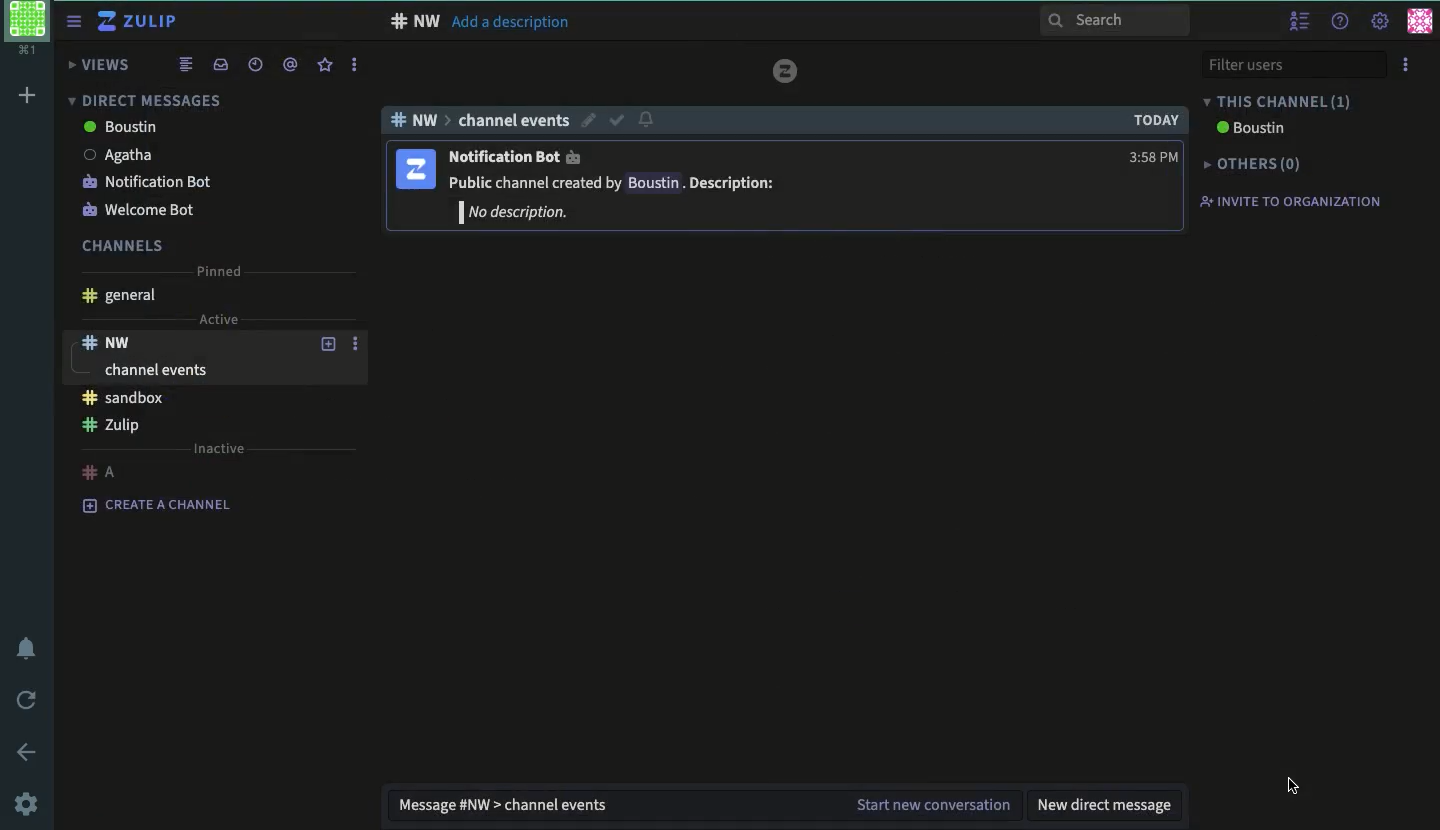 The height and width of the screenshot is (830, 1440). I want to click on show user tag, so click(416, 170).